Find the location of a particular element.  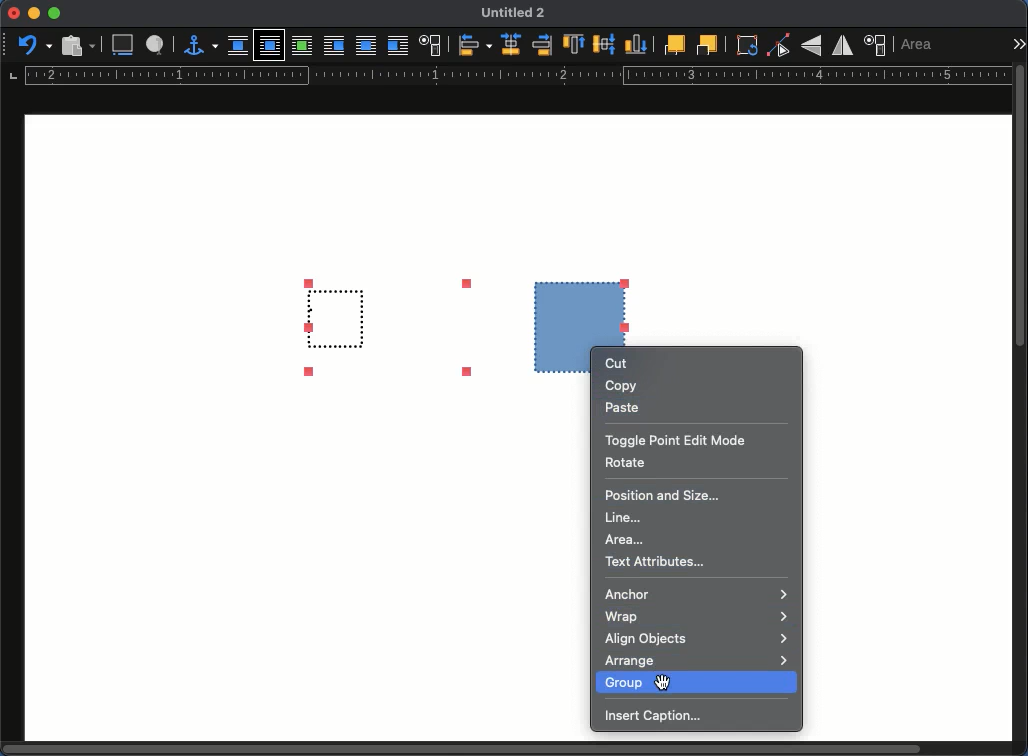

paste is located at coordinates (79, 45).